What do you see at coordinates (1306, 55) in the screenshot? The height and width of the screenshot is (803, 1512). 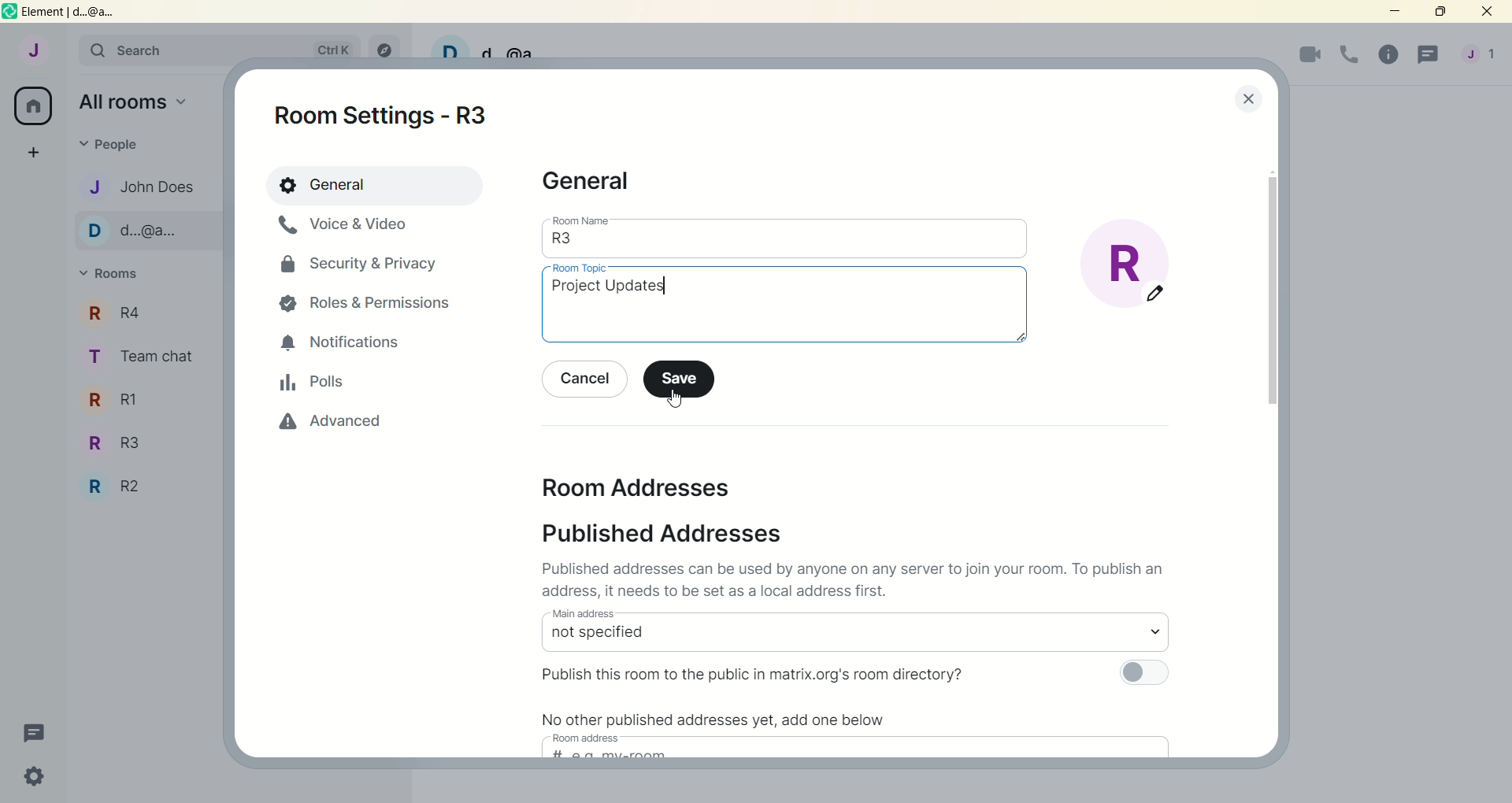 I see `video call` at bounding box center [1306, 55].